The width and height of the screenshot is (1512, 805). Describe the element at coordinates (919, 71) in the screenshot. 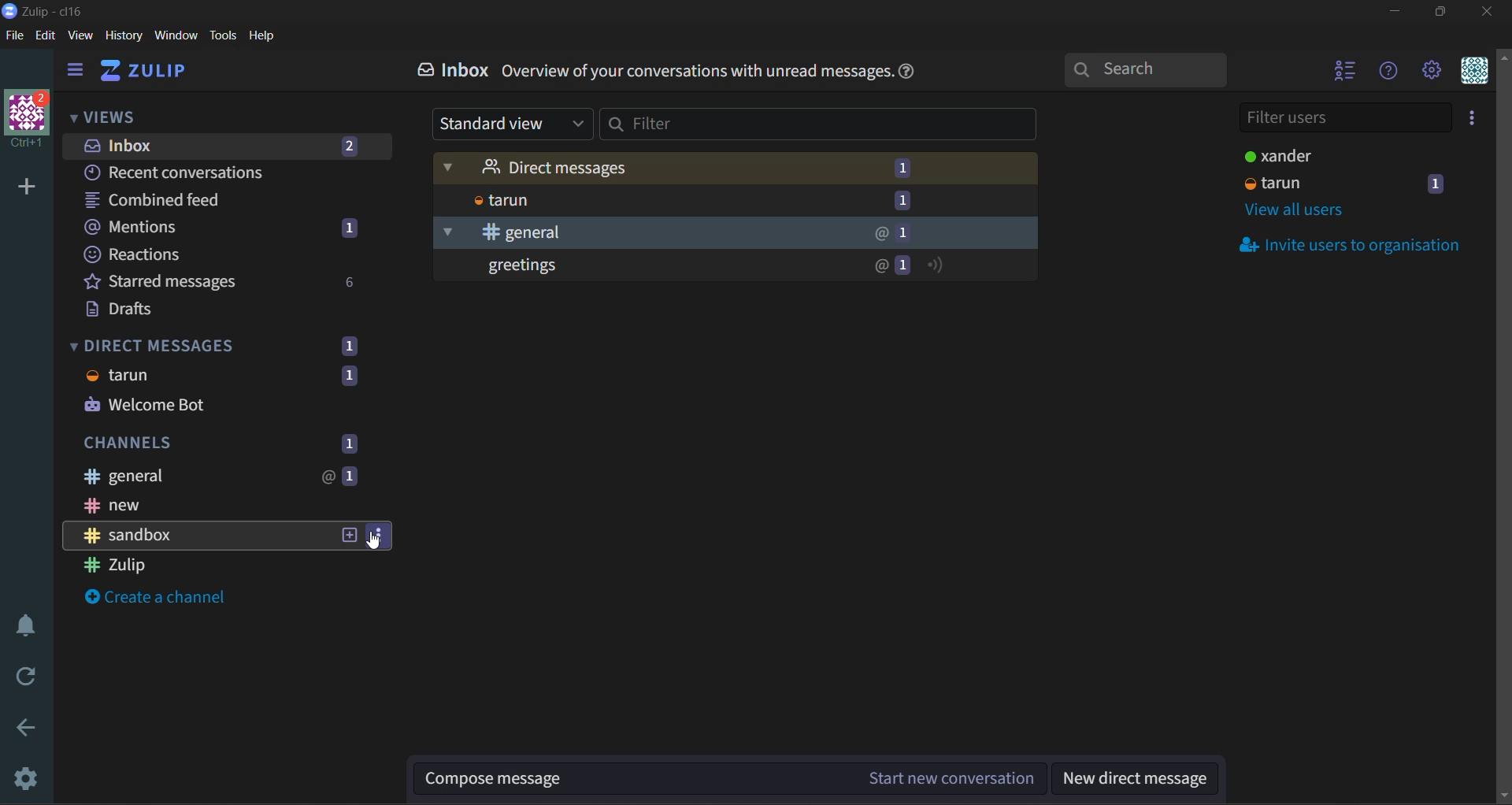

I see `help` at that location.